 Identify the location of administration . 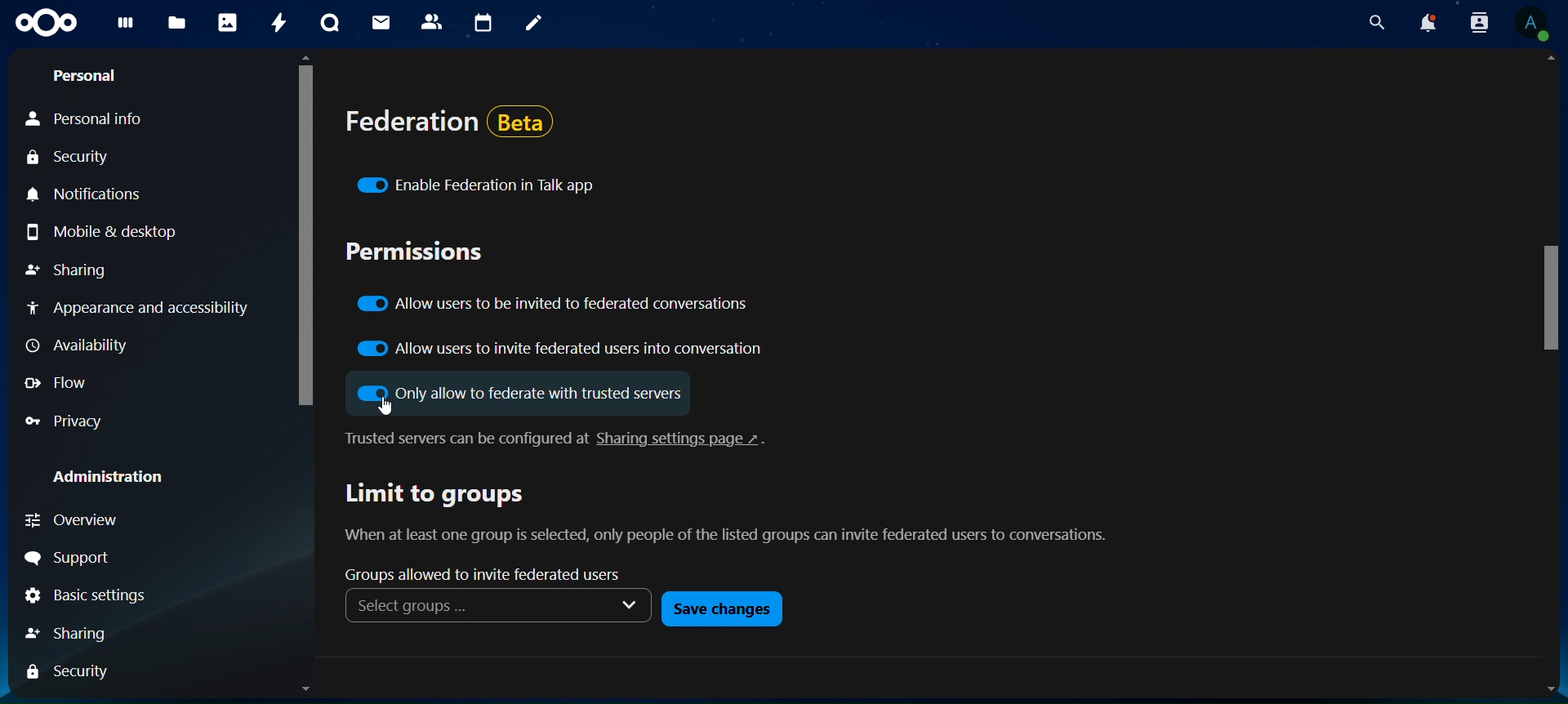
(114, 479).